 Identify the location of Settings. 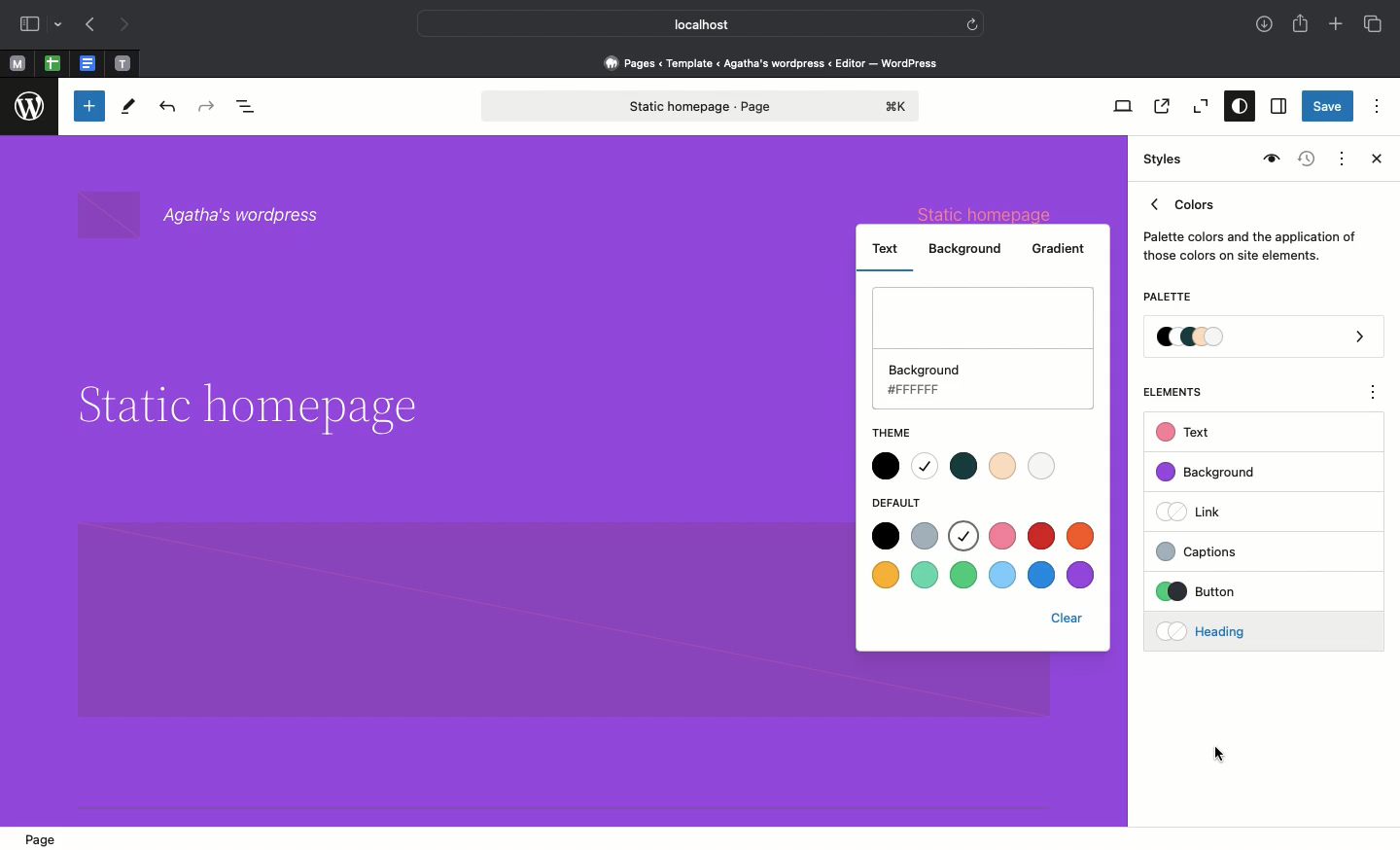
(1277, 107).